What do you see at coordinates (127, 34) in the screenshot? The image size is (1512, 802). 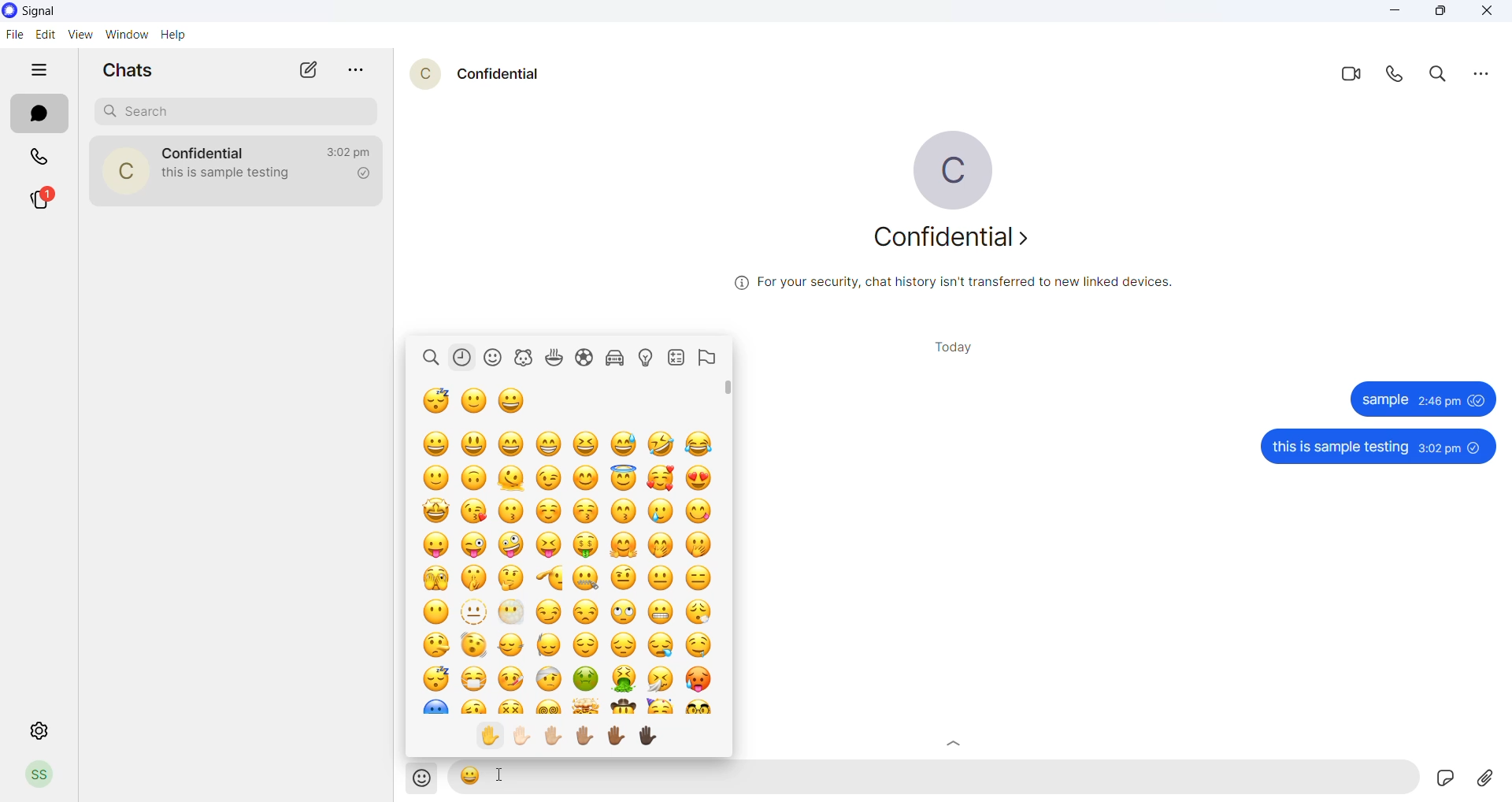 I see `window` at bounding box center [127, 34].